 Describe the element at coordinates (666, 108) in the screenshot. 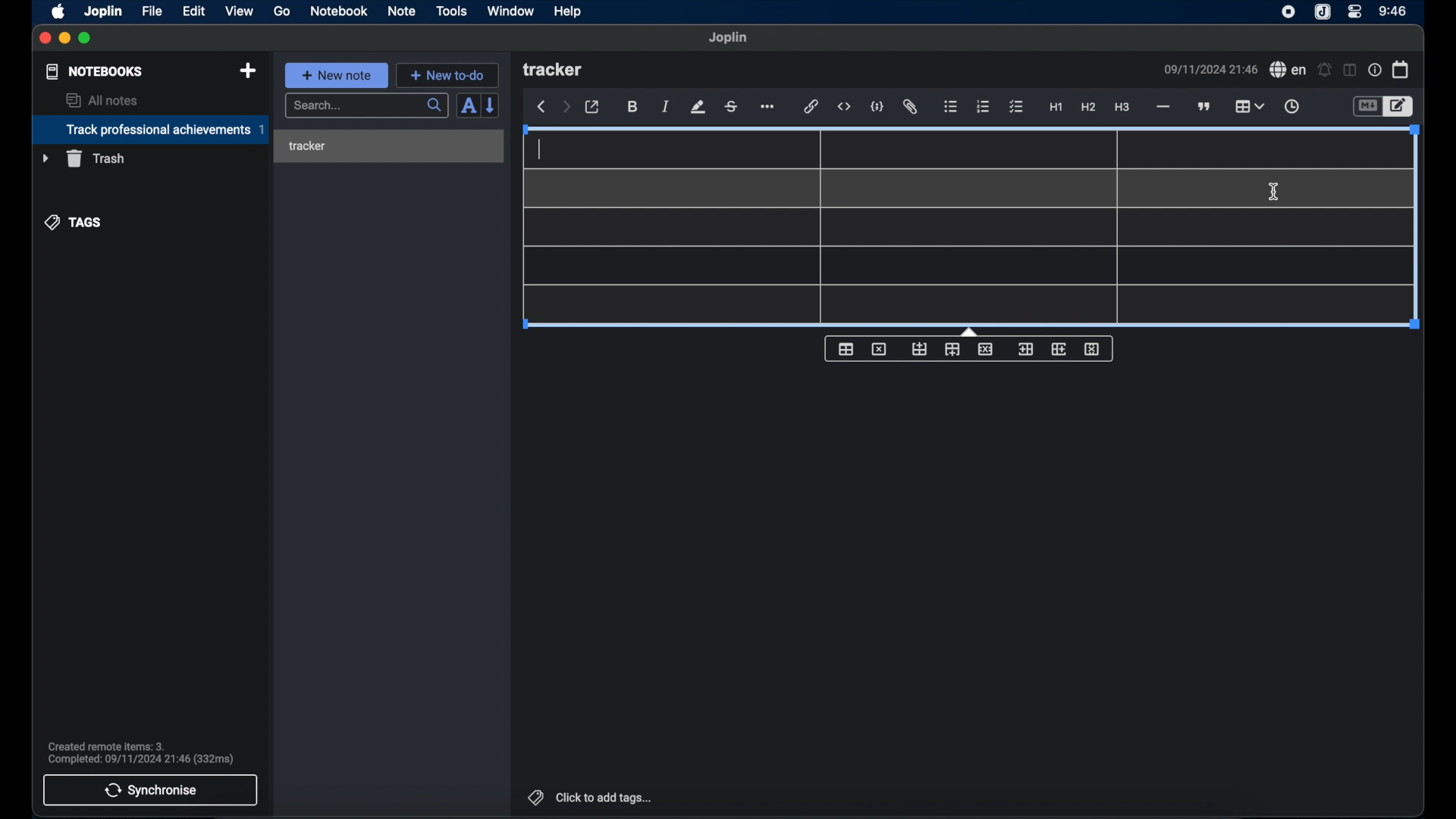

I see `italic` at that location.